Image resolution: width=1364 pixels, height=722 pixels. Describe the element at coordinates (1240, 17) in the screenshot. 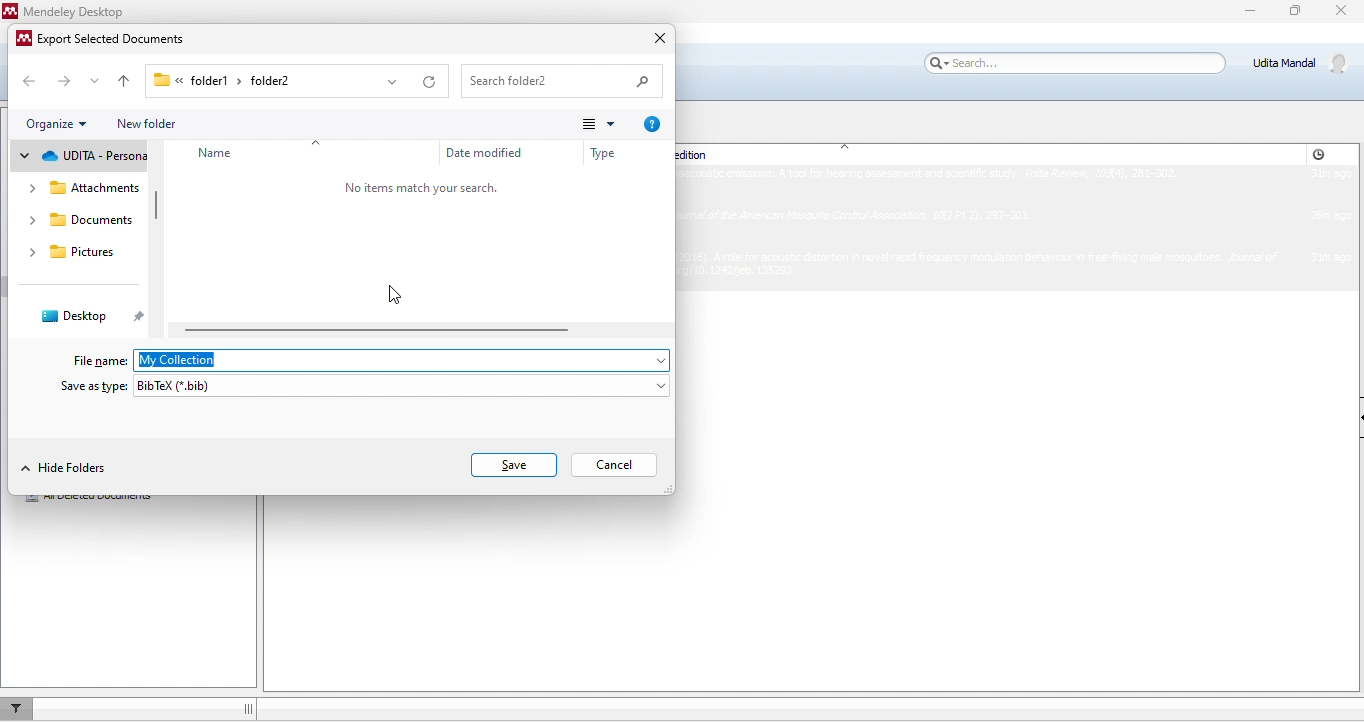

I see `minimize` at that location.